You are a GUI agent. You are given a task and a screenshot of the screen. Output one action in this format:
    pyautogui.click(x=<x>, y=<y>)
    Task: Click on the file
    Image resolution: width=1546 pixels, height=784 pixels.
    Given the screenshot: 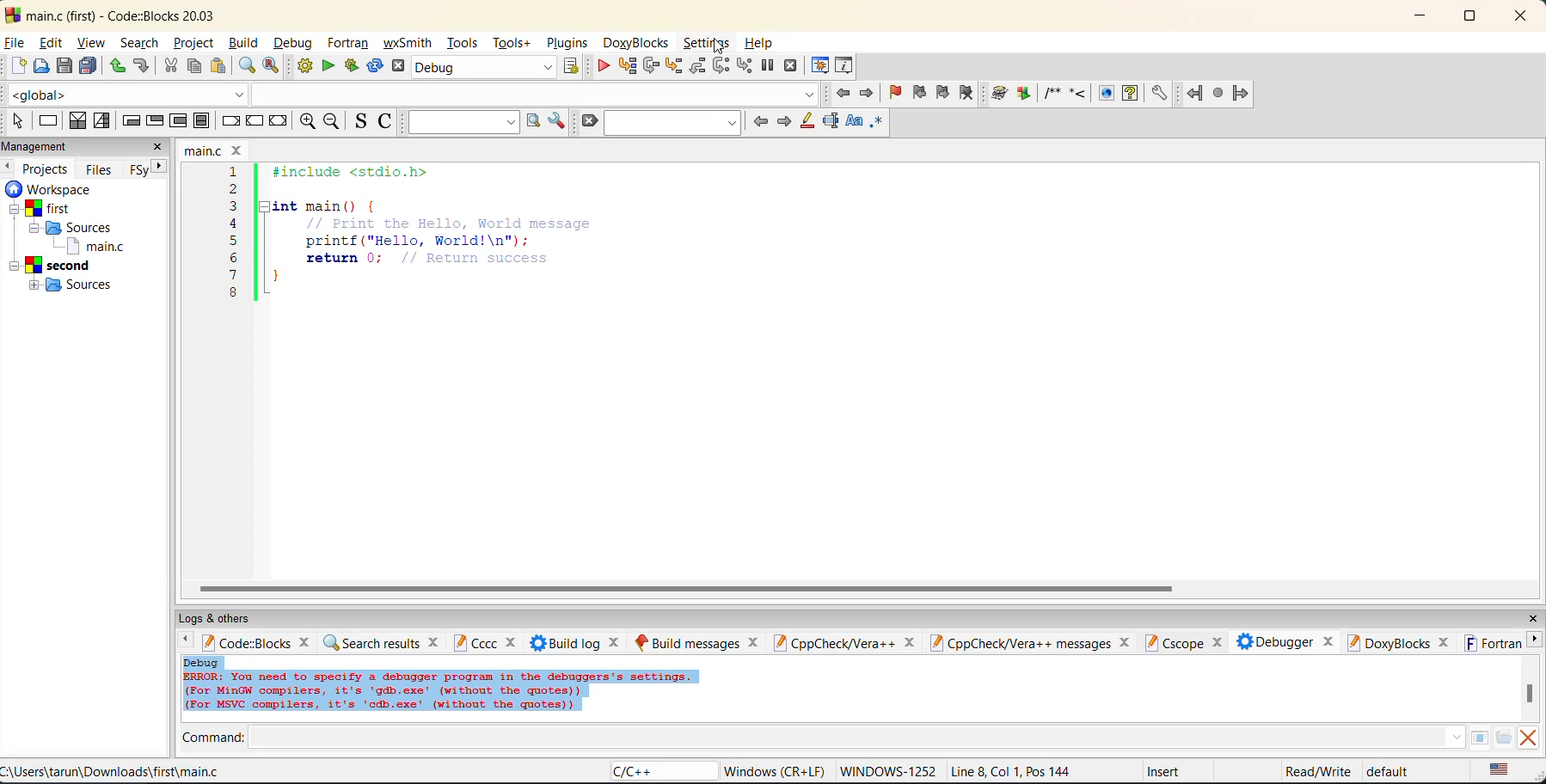 What is the action you would take?
    pyautogui.click(x=15, y=43)
    